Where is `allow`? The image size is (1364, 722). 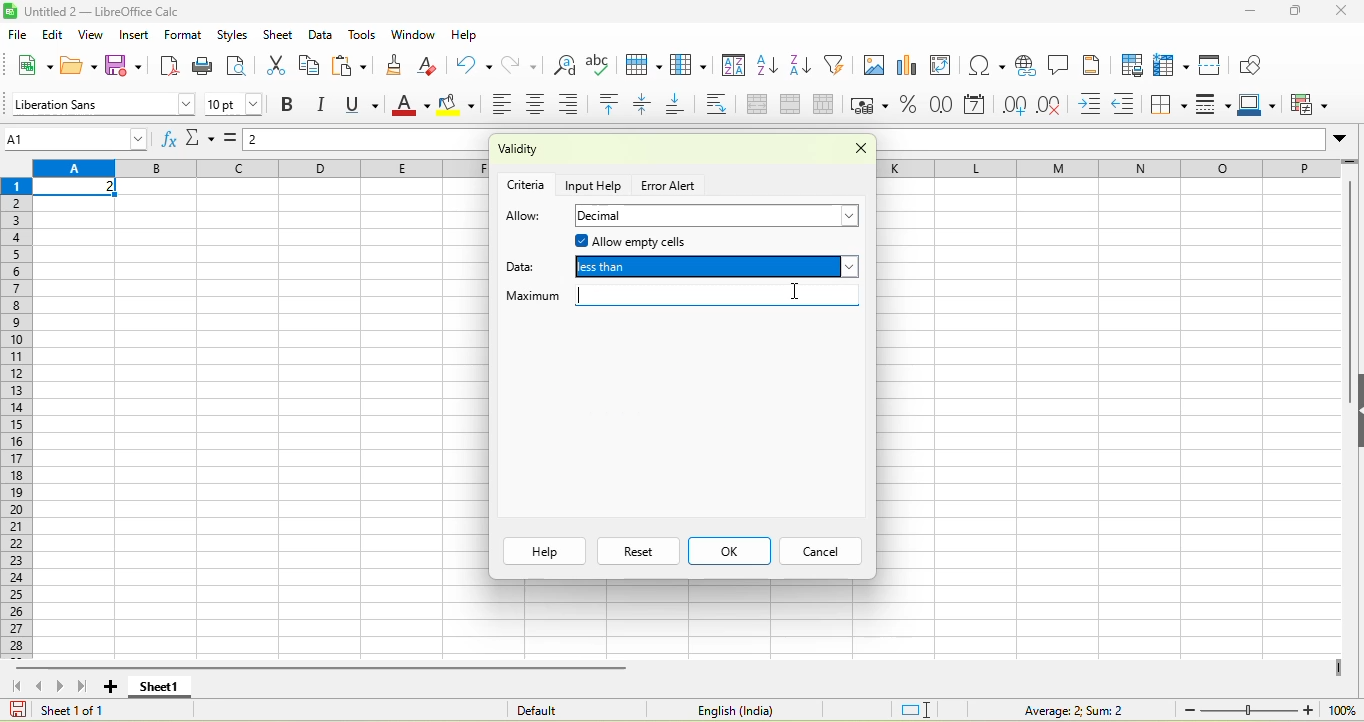 allow is located at coordinates (524, 217).